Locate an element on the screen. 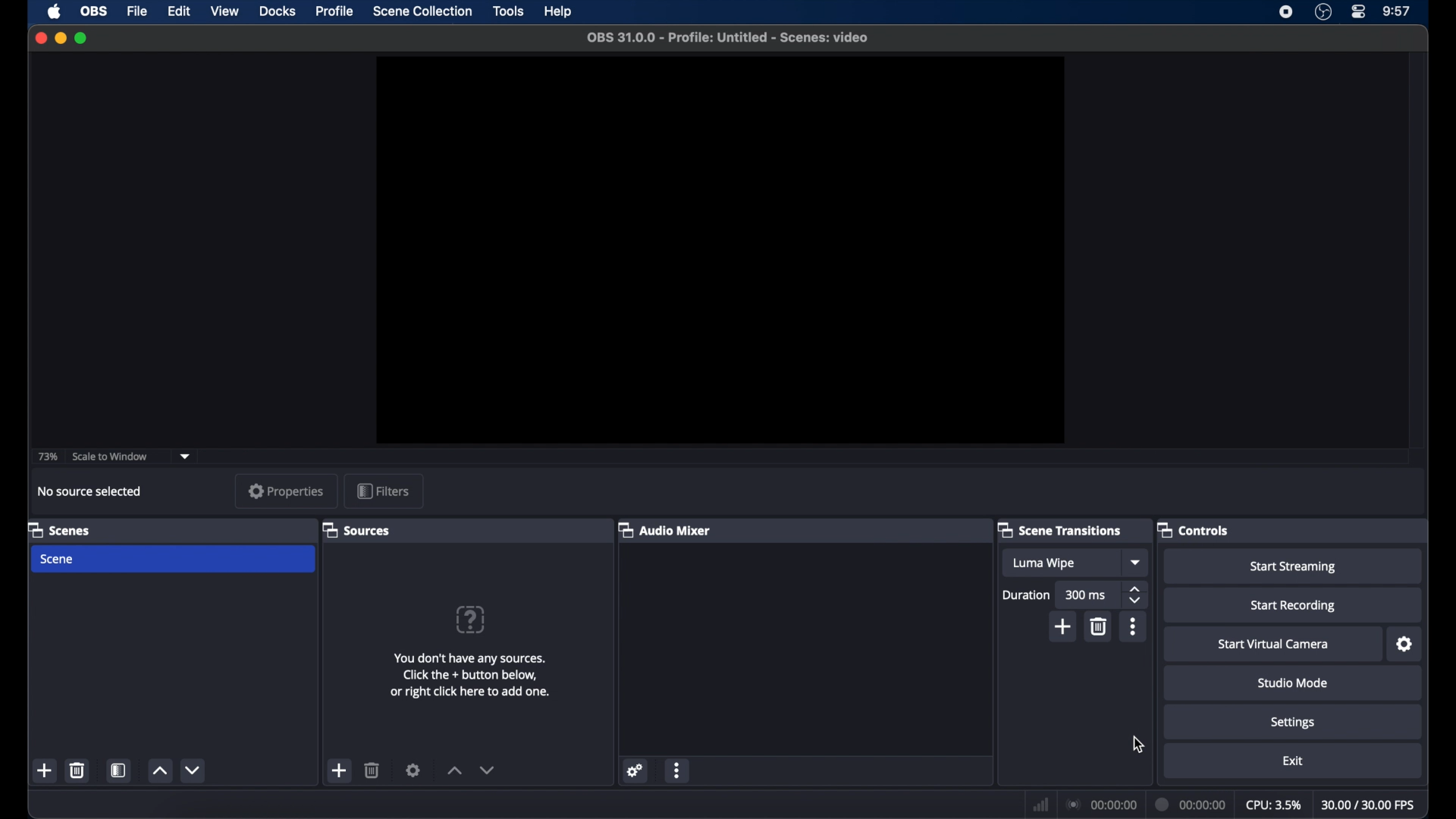  studio mode is located at coordinates (1294, 683).